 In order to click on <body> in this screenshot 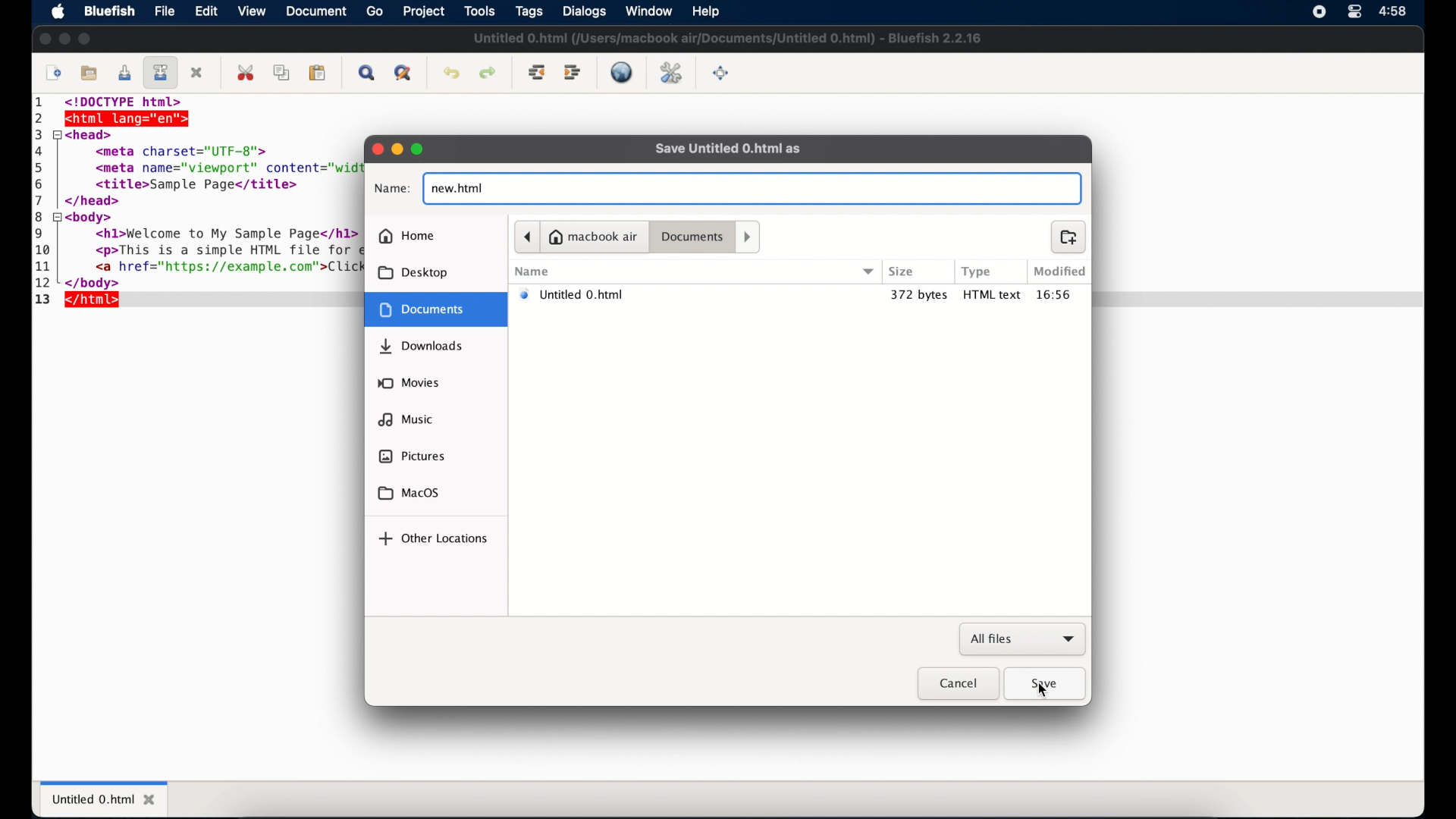, I will do `click(93, 218)`.